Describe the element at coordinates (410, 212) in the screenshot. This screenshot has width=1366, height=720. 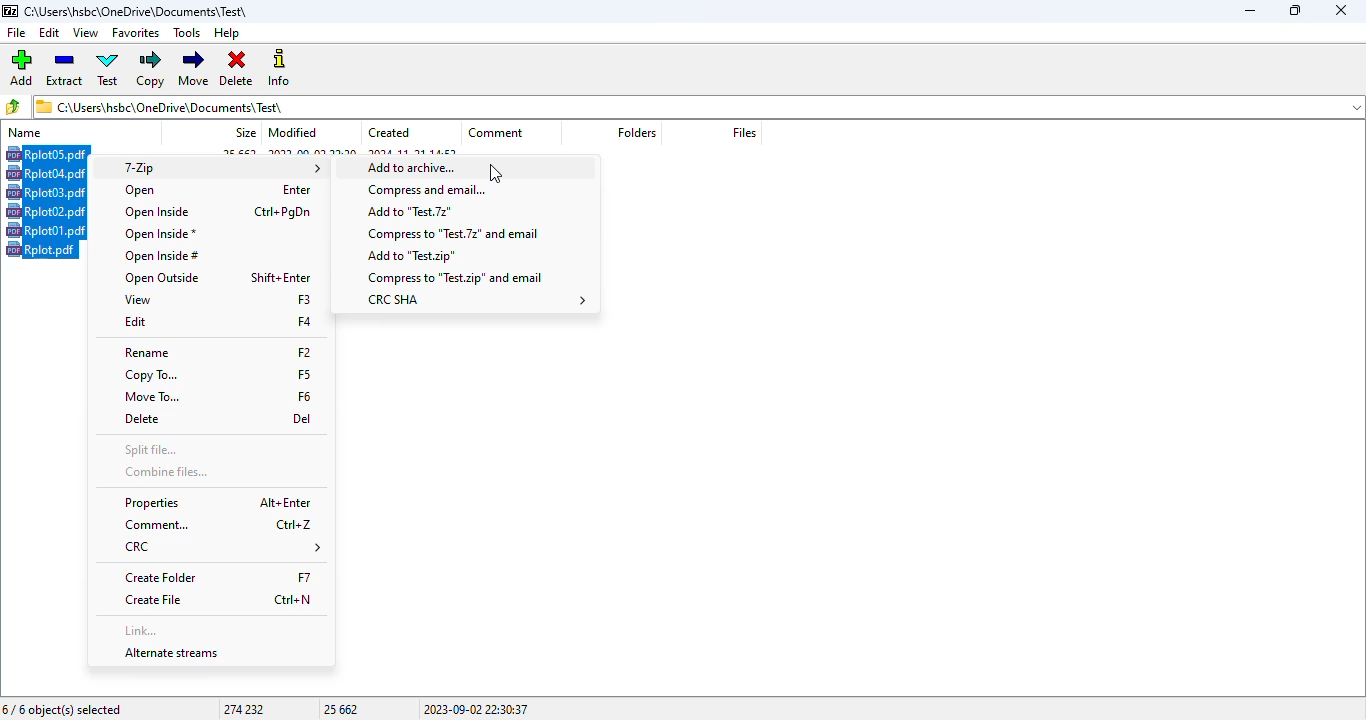
I see `add to test.7z ` at that location.